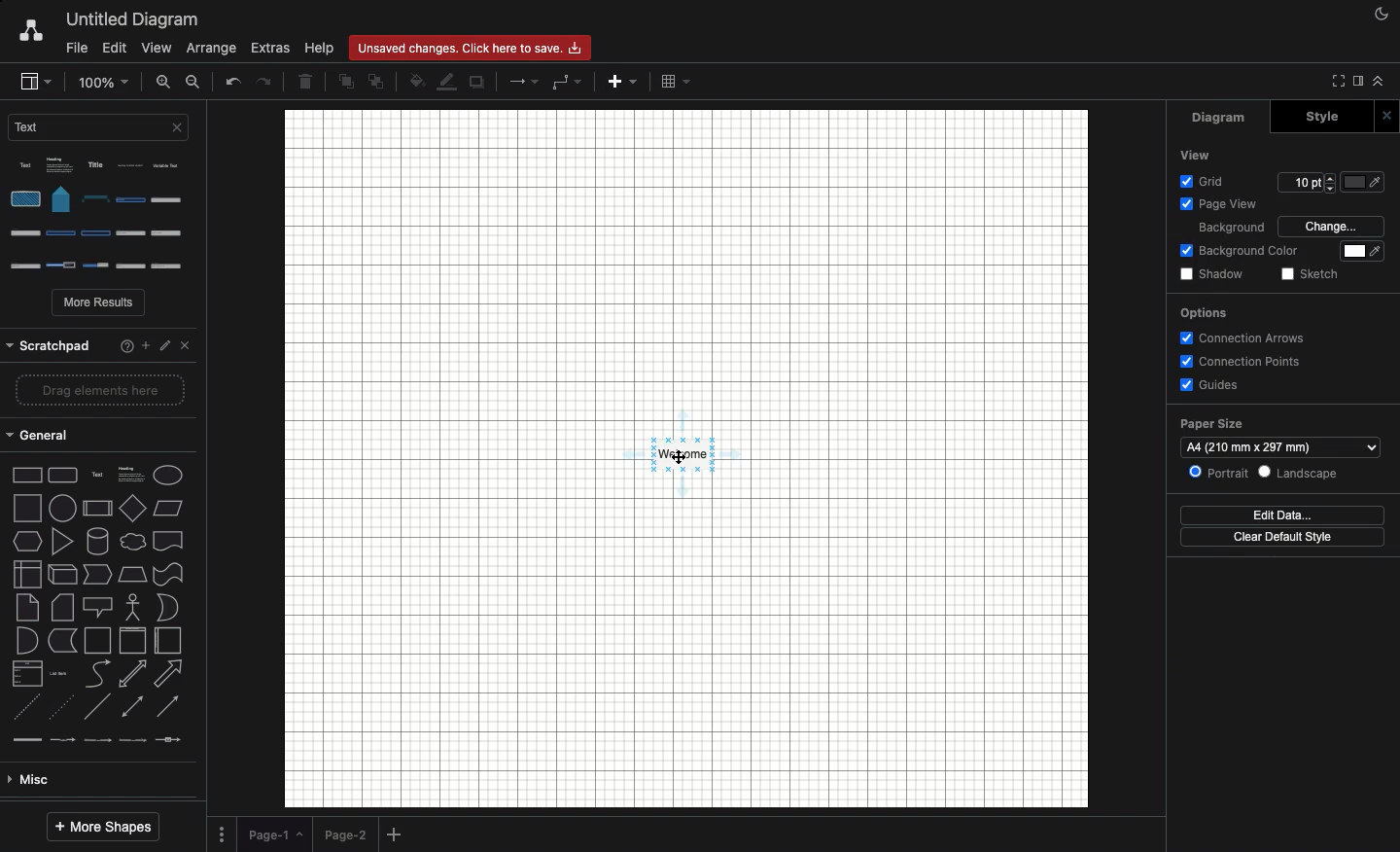 The image size is (1400, 852). Describe the element at coordinates (305, 81) in the screenshot. I see `Delete` at that location.